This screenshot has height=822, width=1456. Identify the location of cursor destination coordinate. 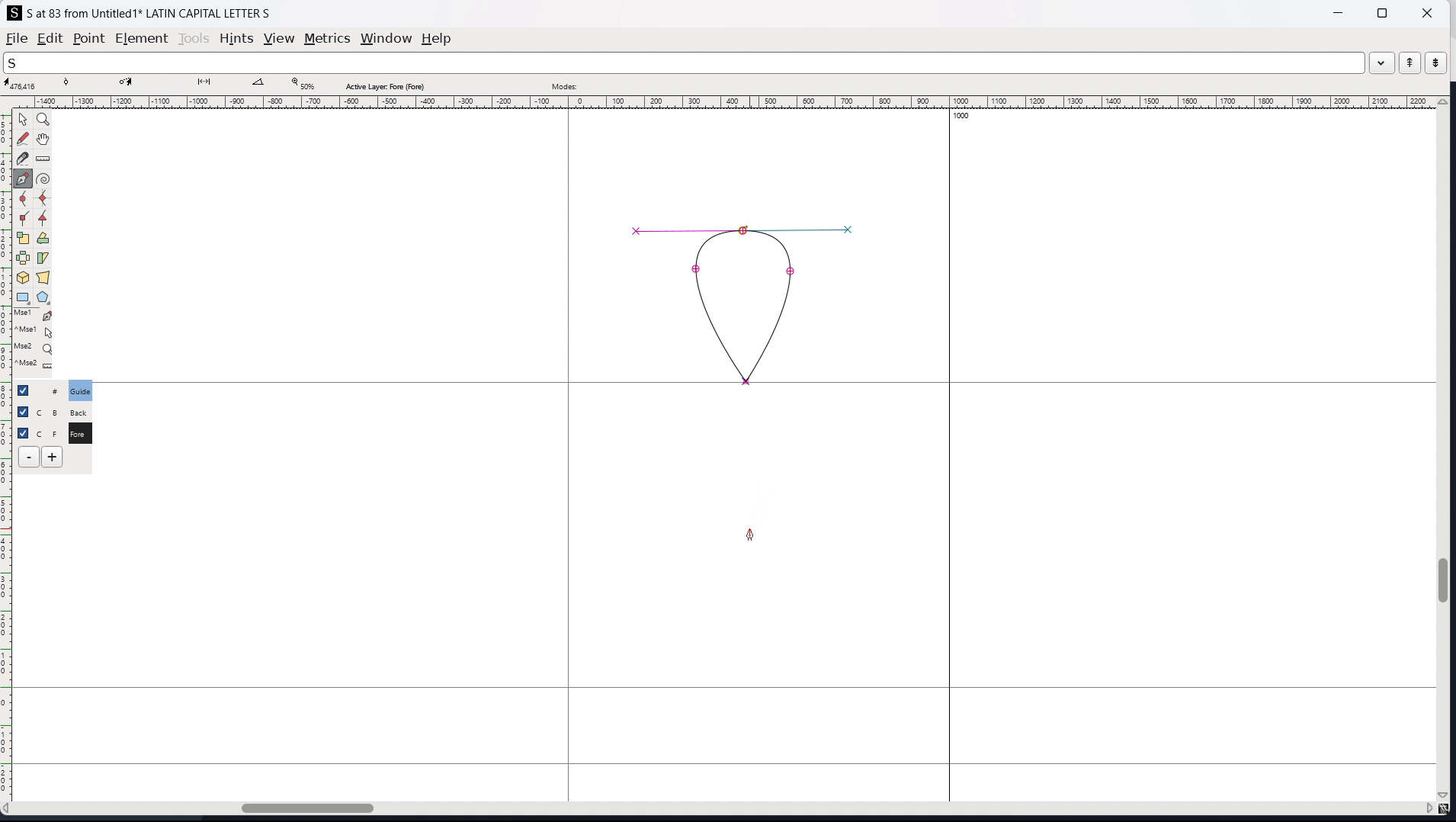
(144, 84).